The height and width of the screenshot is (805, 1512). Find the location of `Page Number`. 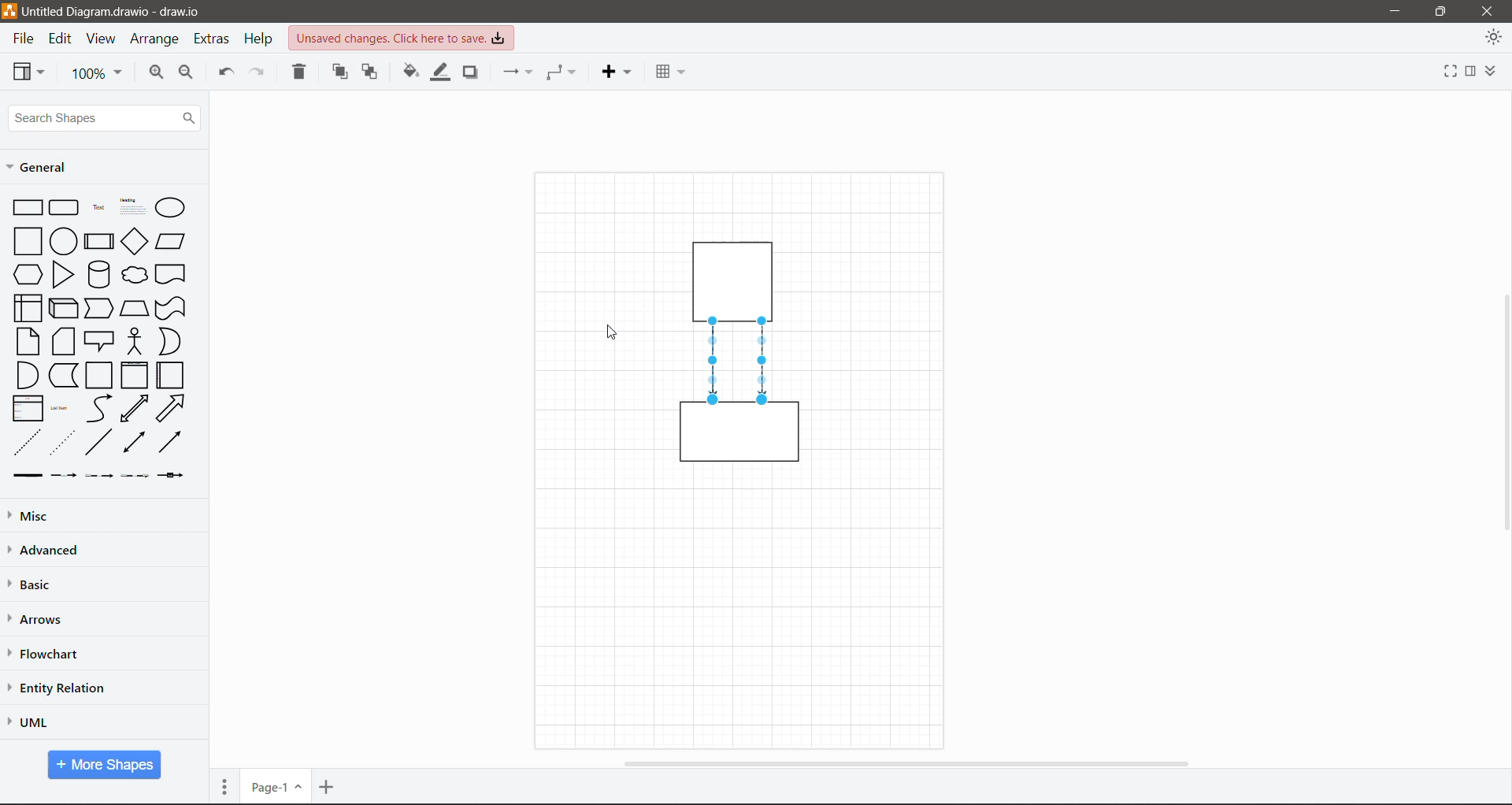

Page Number is located at coordinates (275, 787).